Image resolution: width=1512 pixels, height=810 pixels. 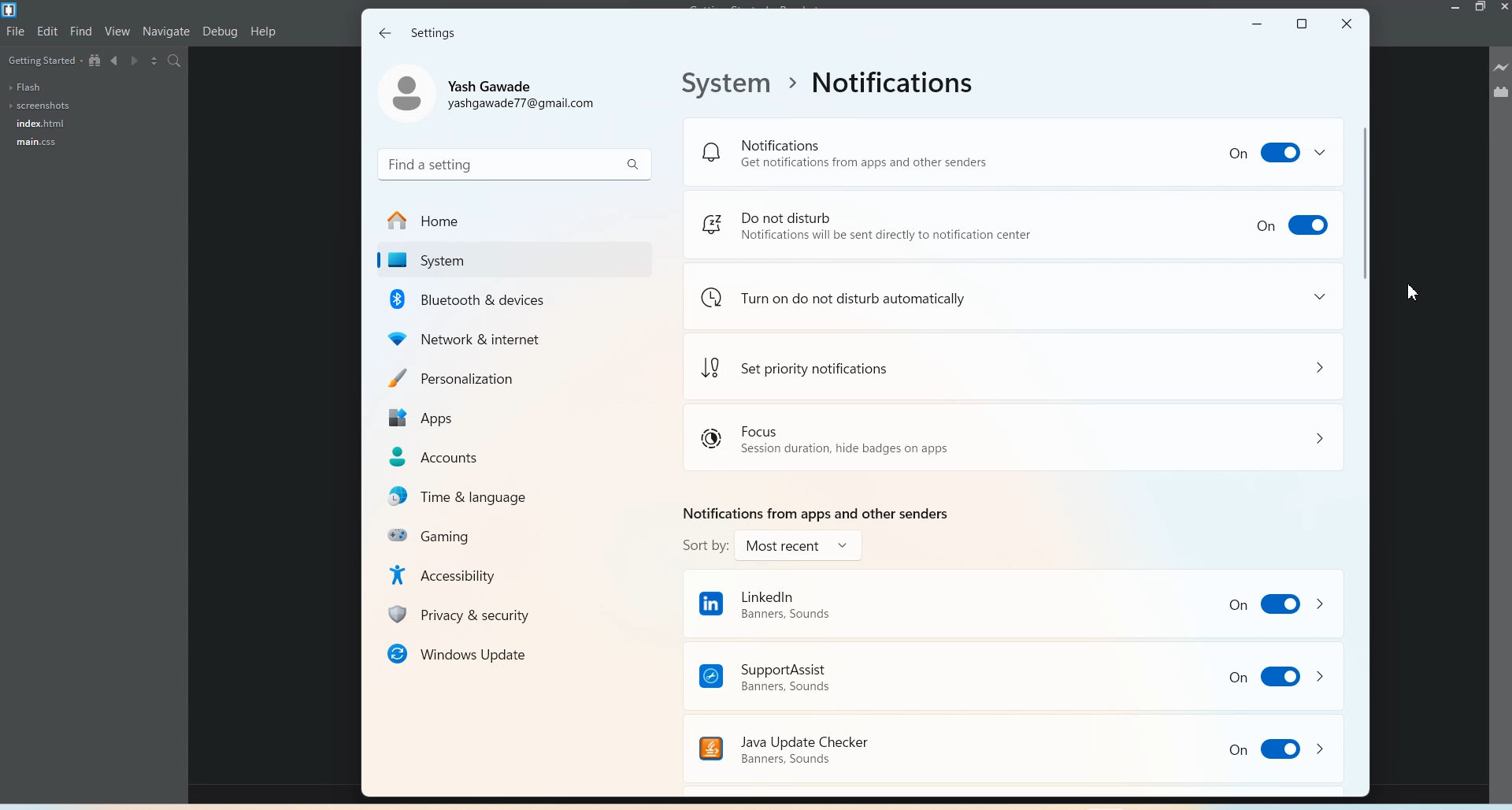 I want to click on Toggle Enable, so click(x=1294, y=225).